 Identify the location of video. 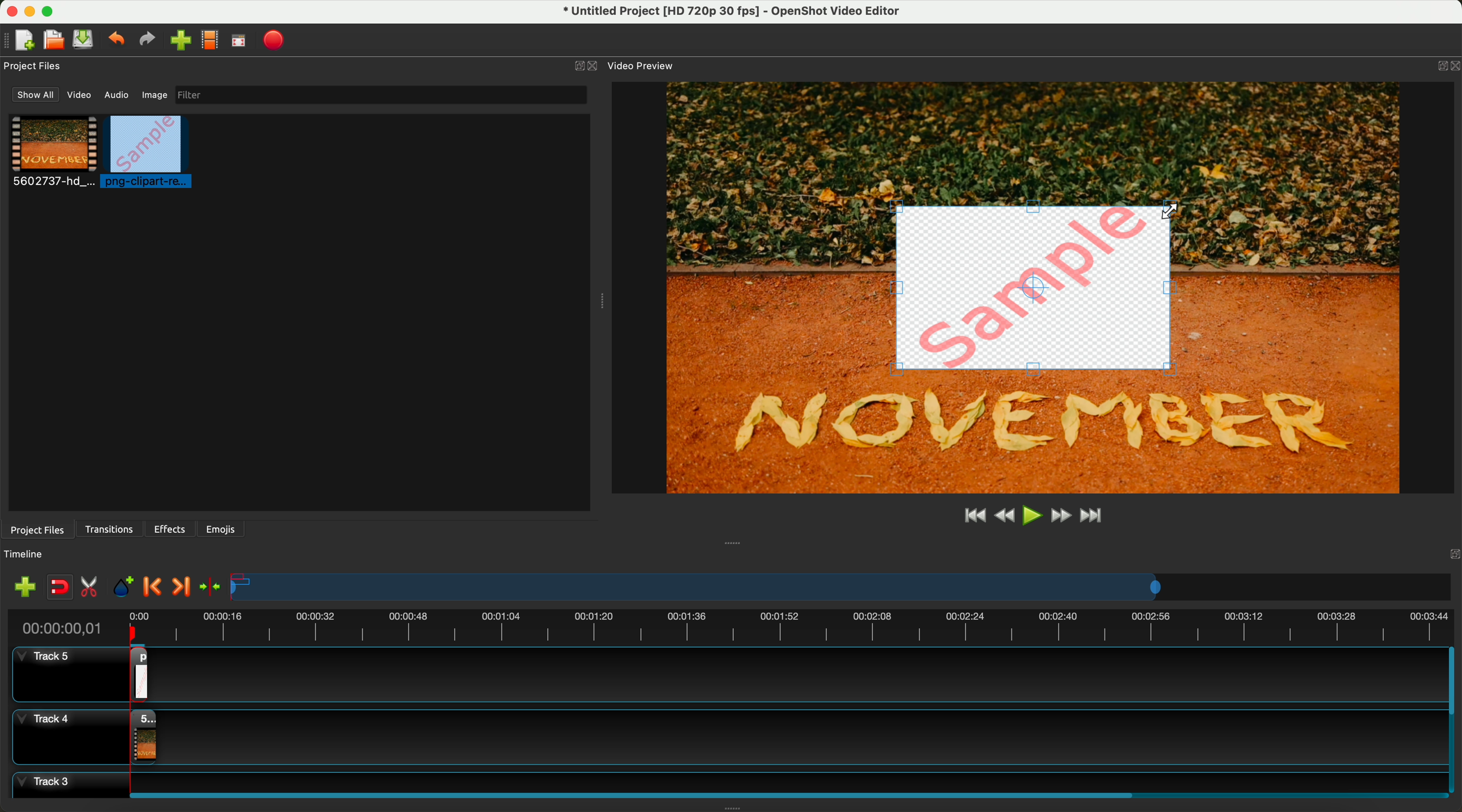
(54, 153).